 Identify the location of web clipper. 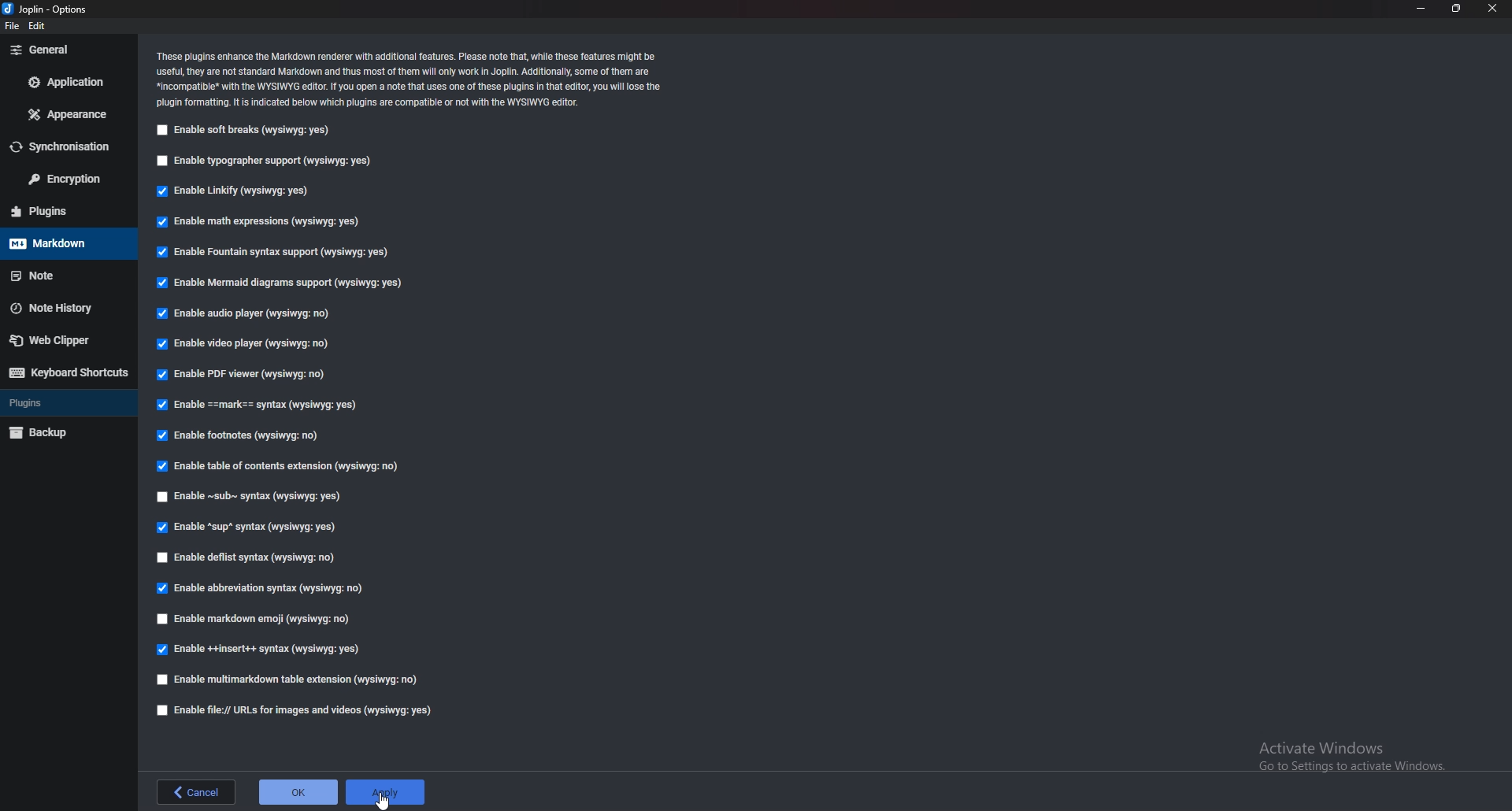
(69, 340).